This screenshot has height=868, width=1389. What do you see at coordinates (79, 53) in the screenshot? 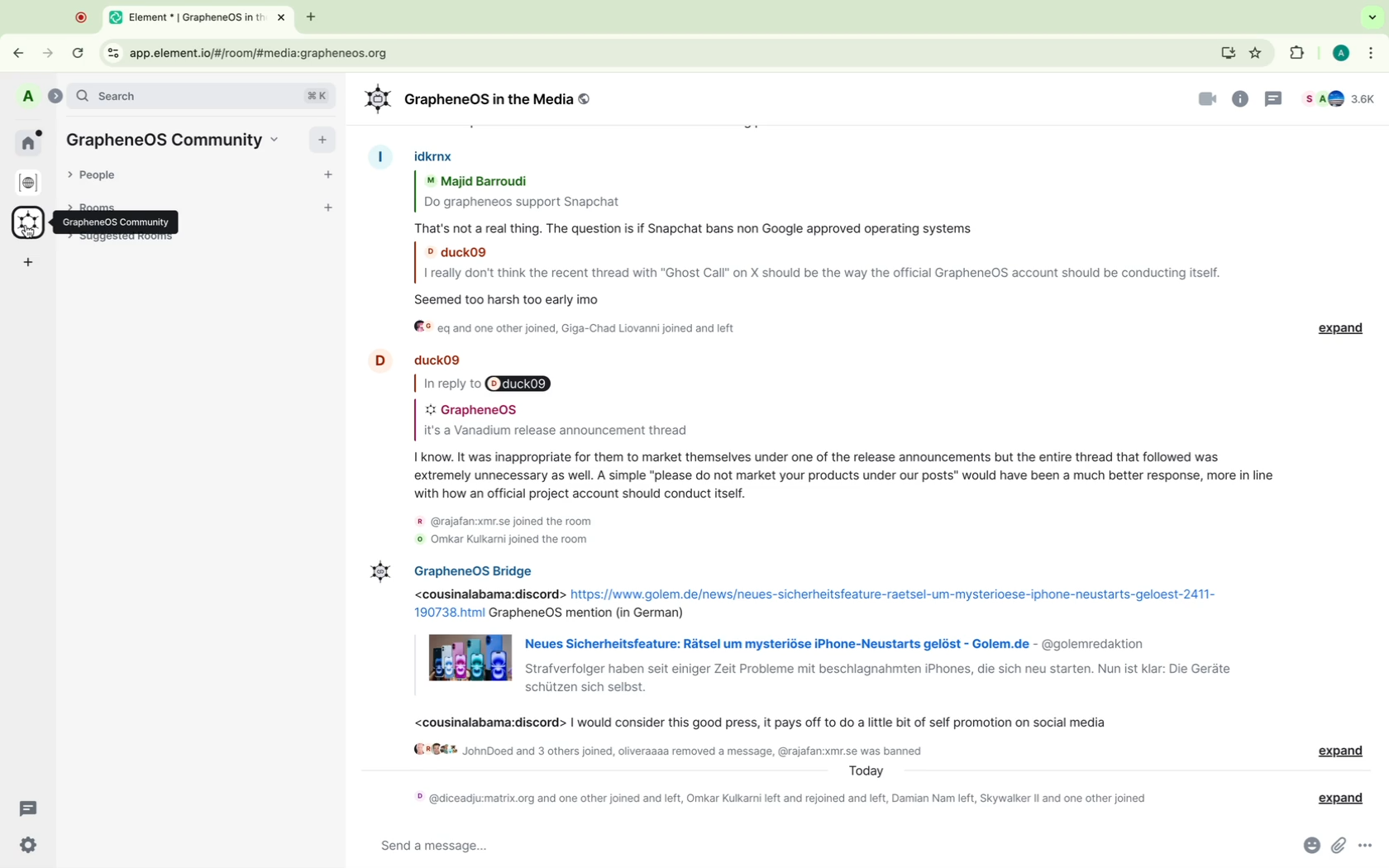
I see `refresh` at bounding box center [79, 53].